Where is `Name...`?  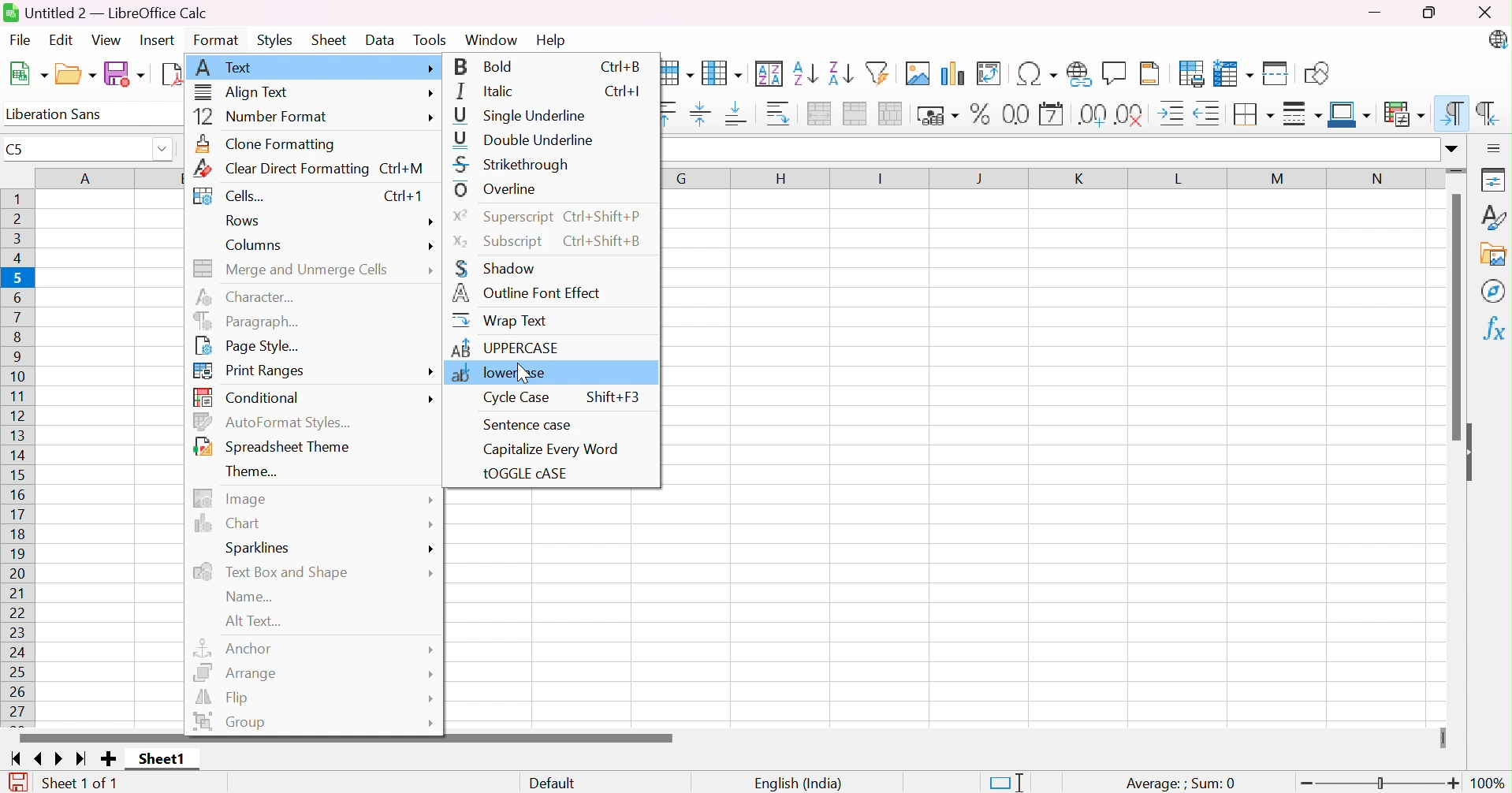 Name... is located at coordinates (251, 597).